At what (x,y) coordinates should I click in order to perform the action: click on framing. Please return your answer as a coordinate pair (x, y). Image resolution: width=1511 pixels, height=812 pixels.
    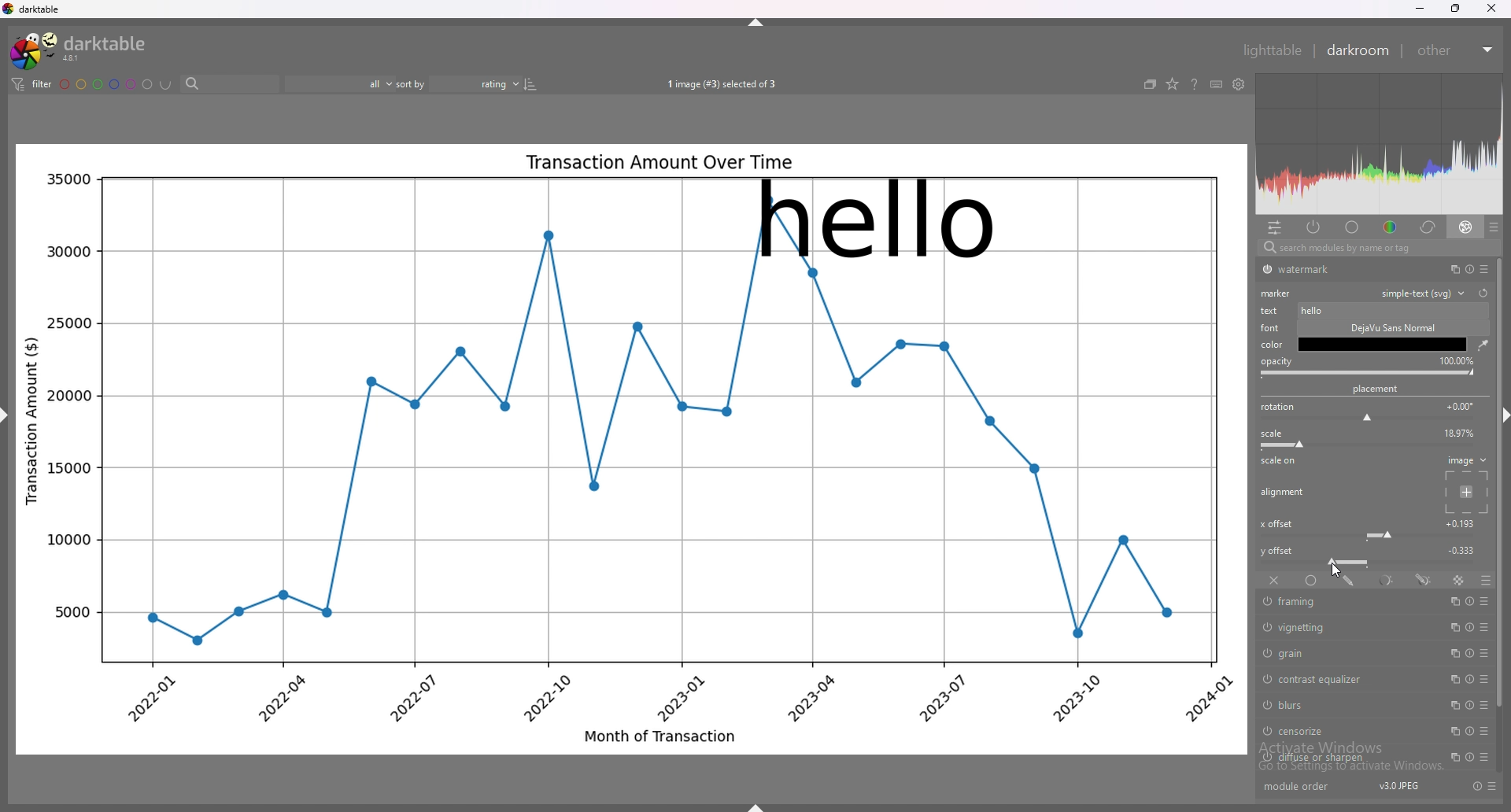
    Looking at the image, I should click on (1346, 602).